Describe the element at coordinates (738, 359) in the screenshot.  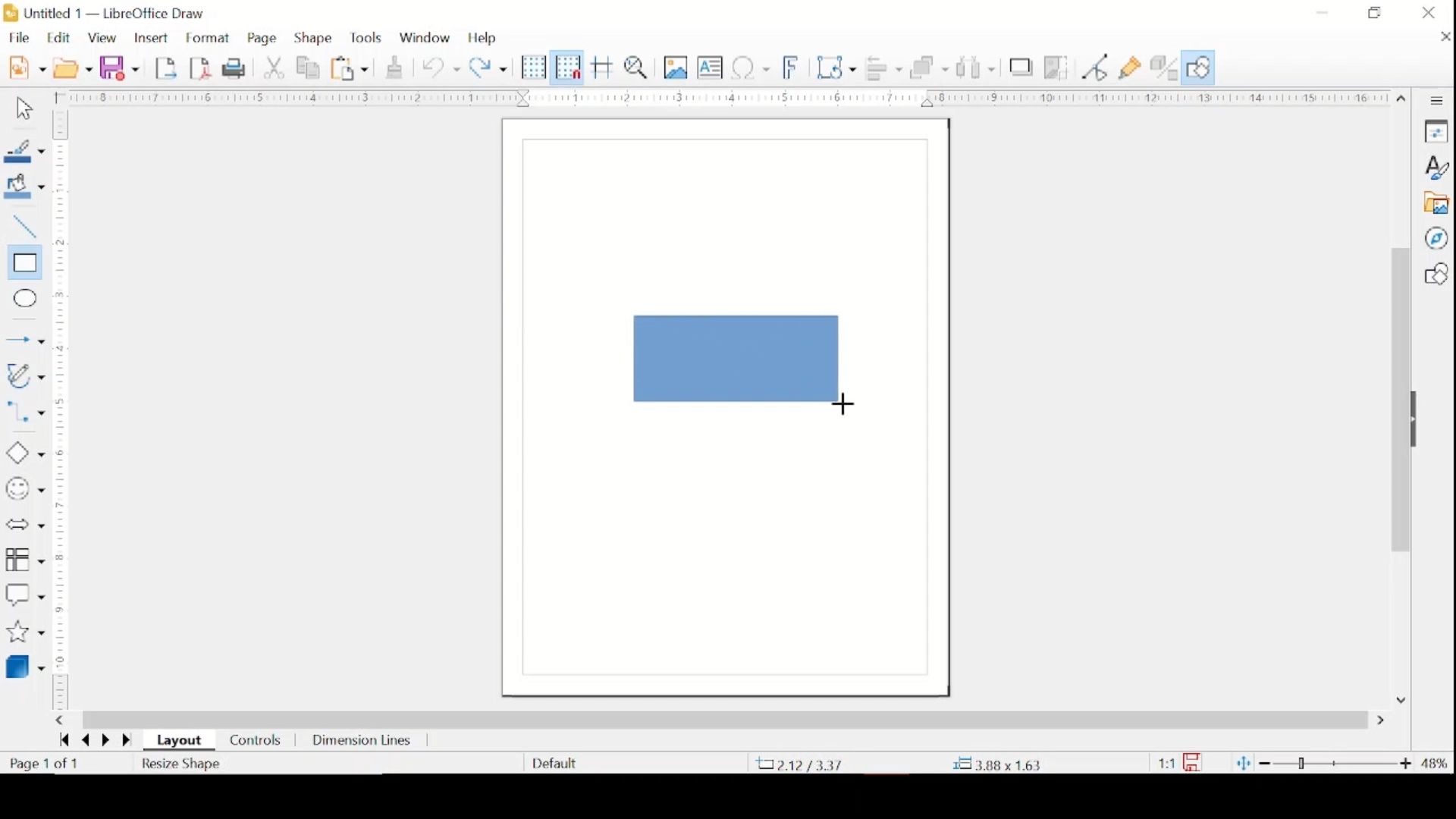
I see `rectangle` at that location.